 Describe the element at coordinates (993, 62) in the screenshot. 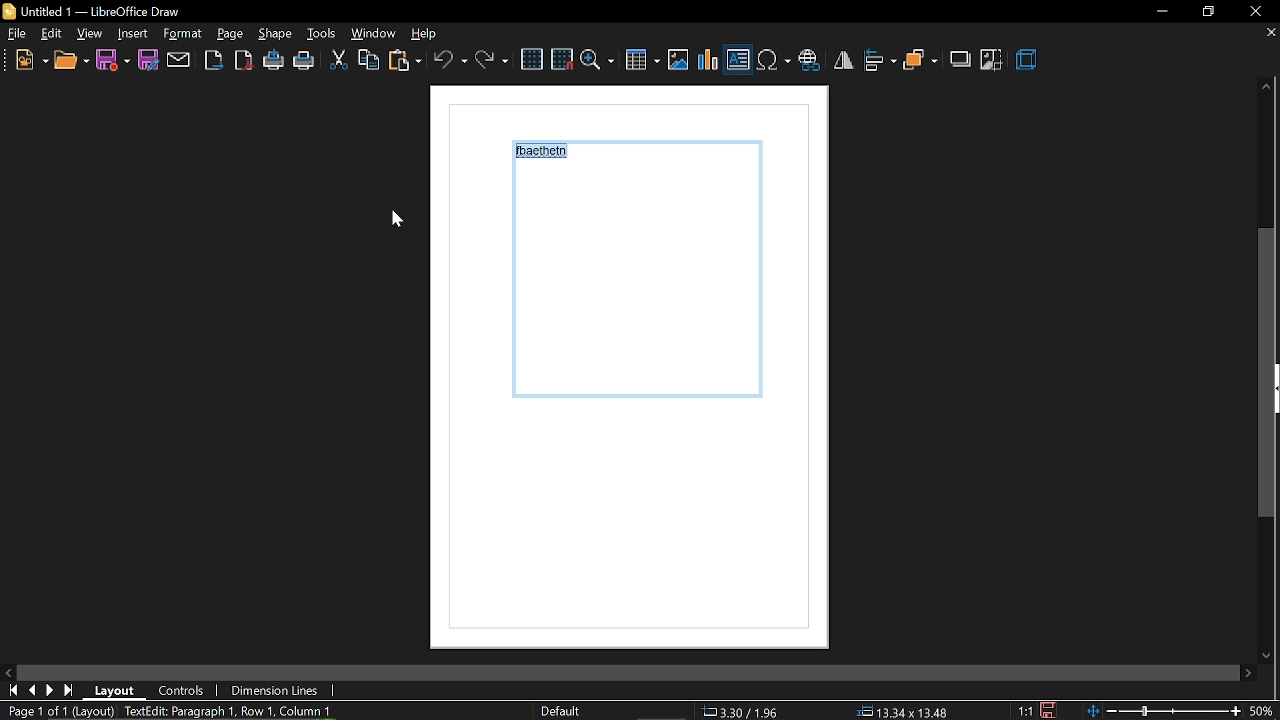

I see `crop` at that location.